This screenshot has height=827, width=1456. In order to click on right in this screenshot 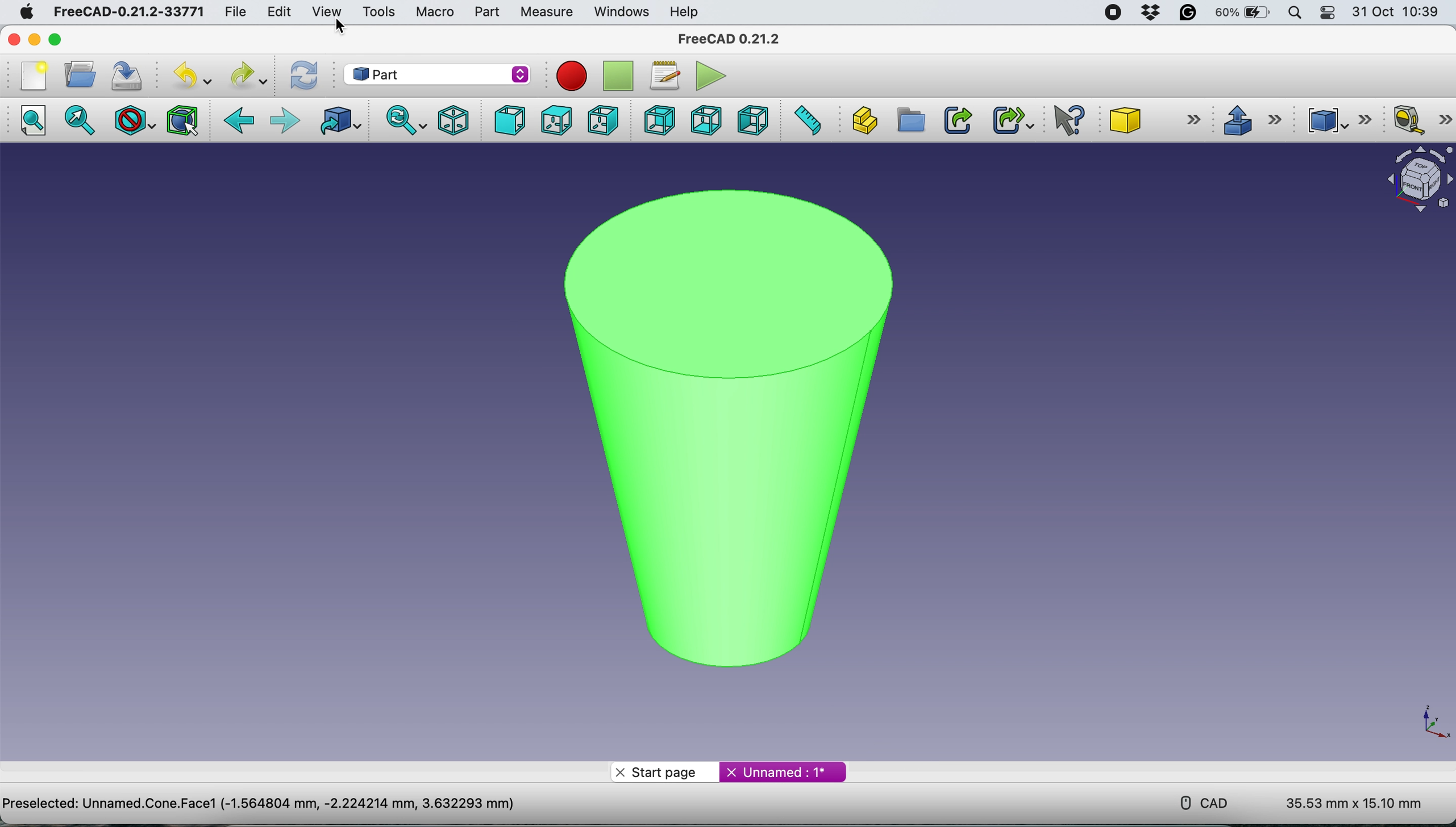, I will do `click(602, 119)`.